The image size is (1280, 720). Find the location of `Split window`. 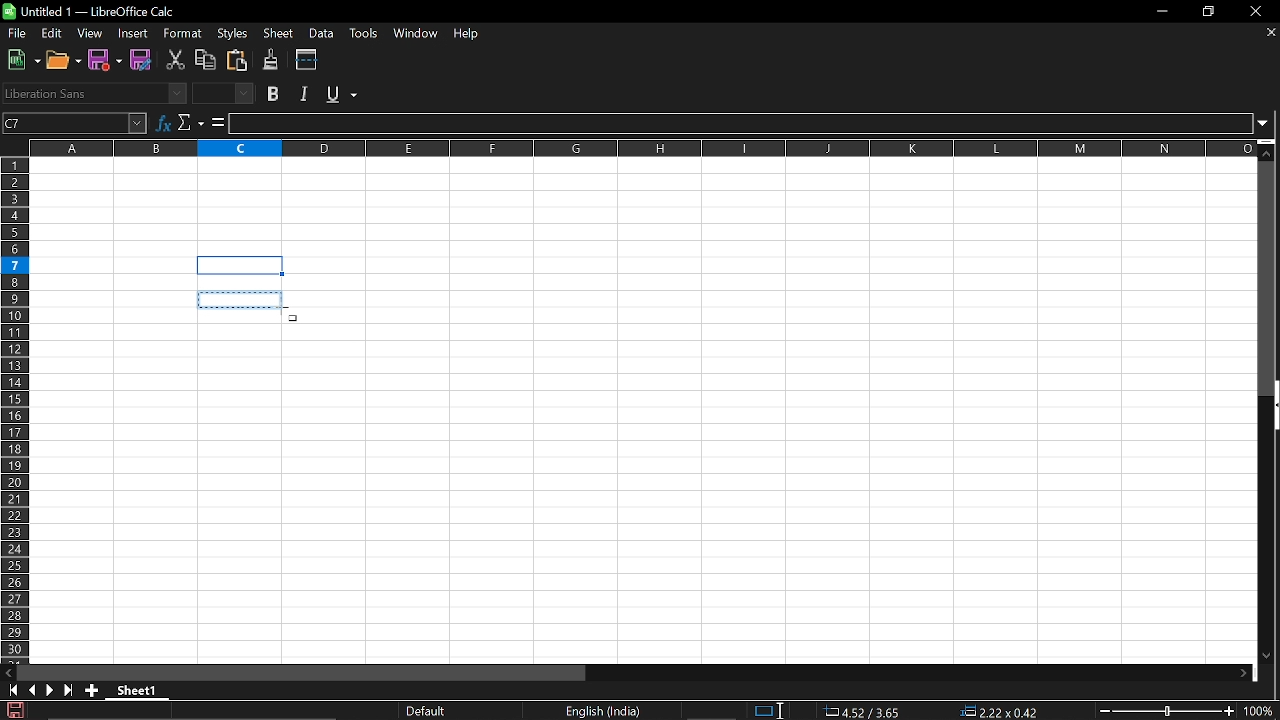

Split window is located at coordinates (307, 59).